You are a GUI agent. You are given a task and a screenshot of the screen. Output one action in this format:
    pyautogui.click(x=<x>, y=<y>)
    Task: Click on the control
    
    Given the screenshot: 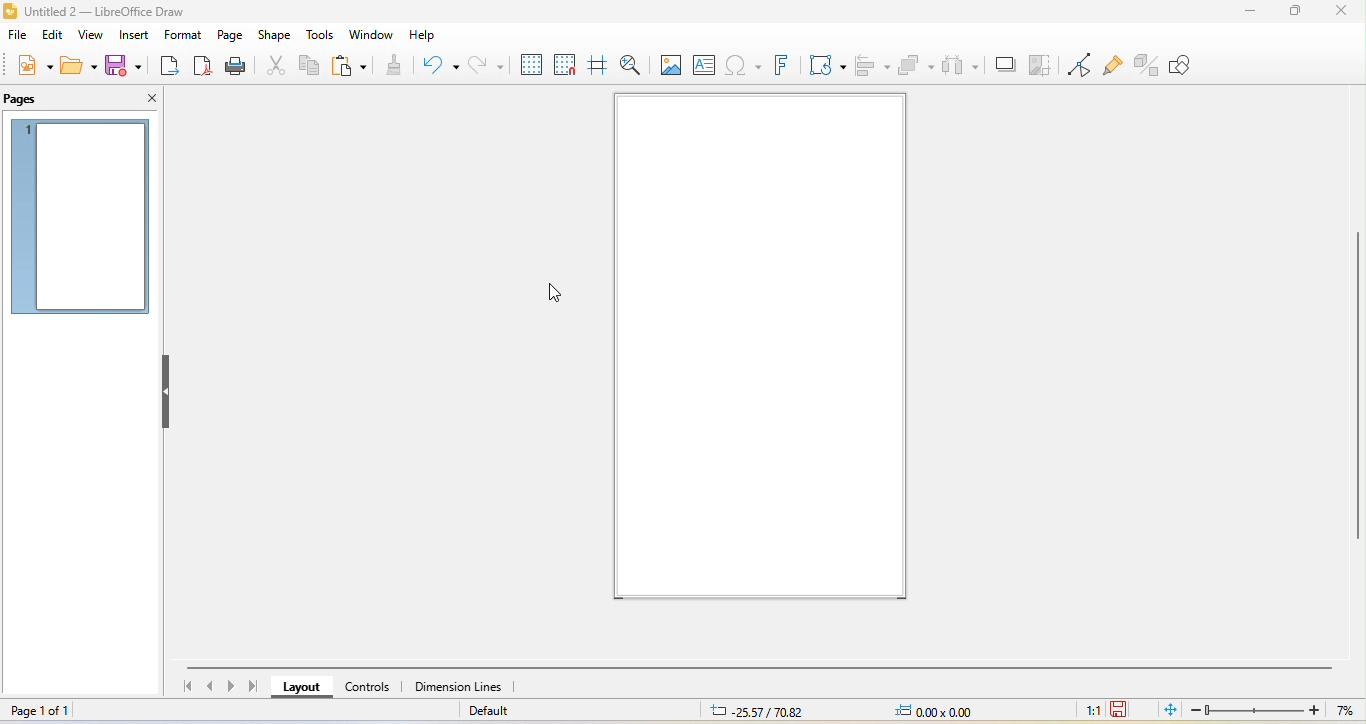 What is the action you would take?
    pyautogui.click(x=368, y=690)
    